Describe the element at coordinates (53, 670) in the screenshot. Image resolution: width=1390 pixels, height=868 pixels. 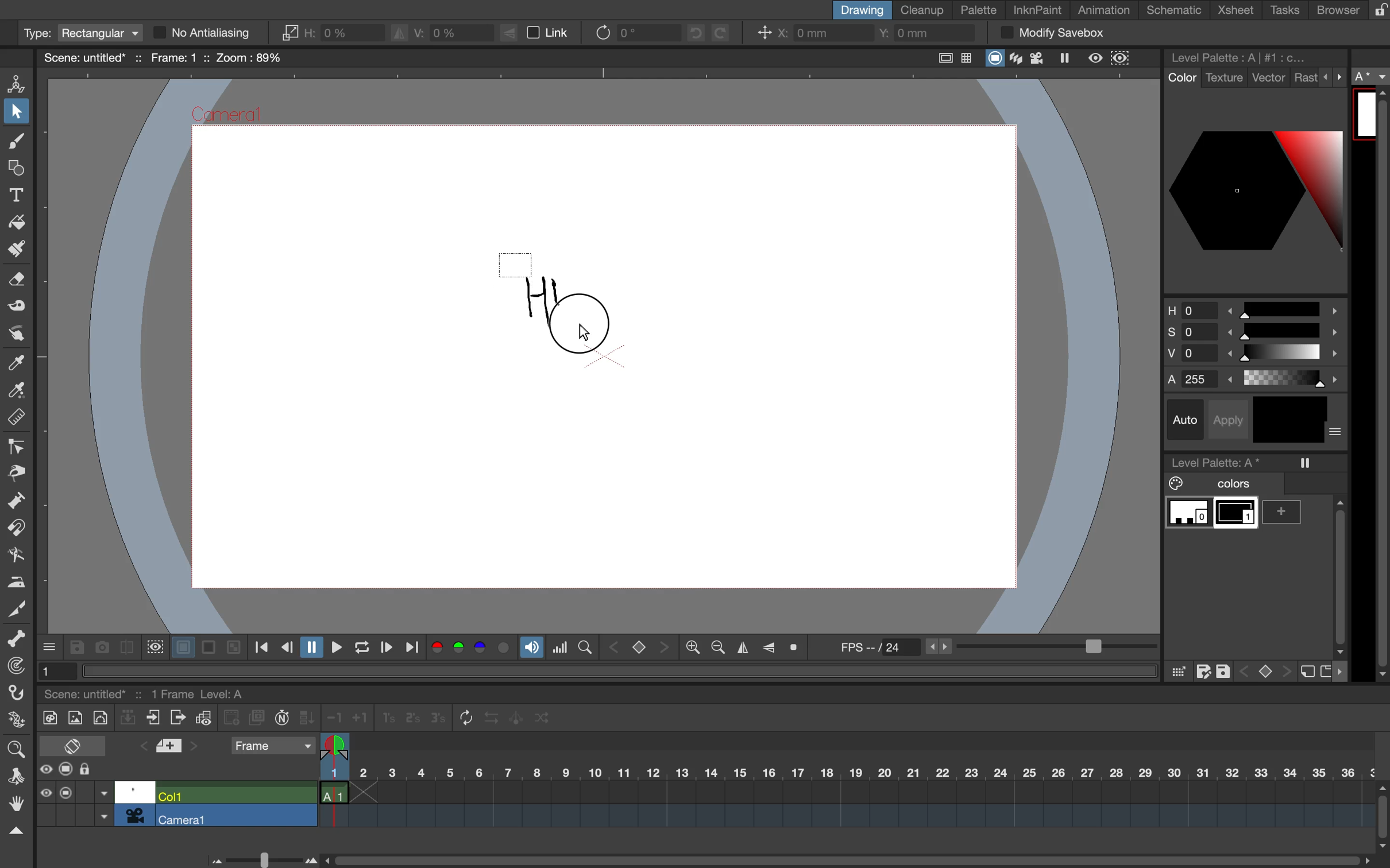
I see `1` at that location.